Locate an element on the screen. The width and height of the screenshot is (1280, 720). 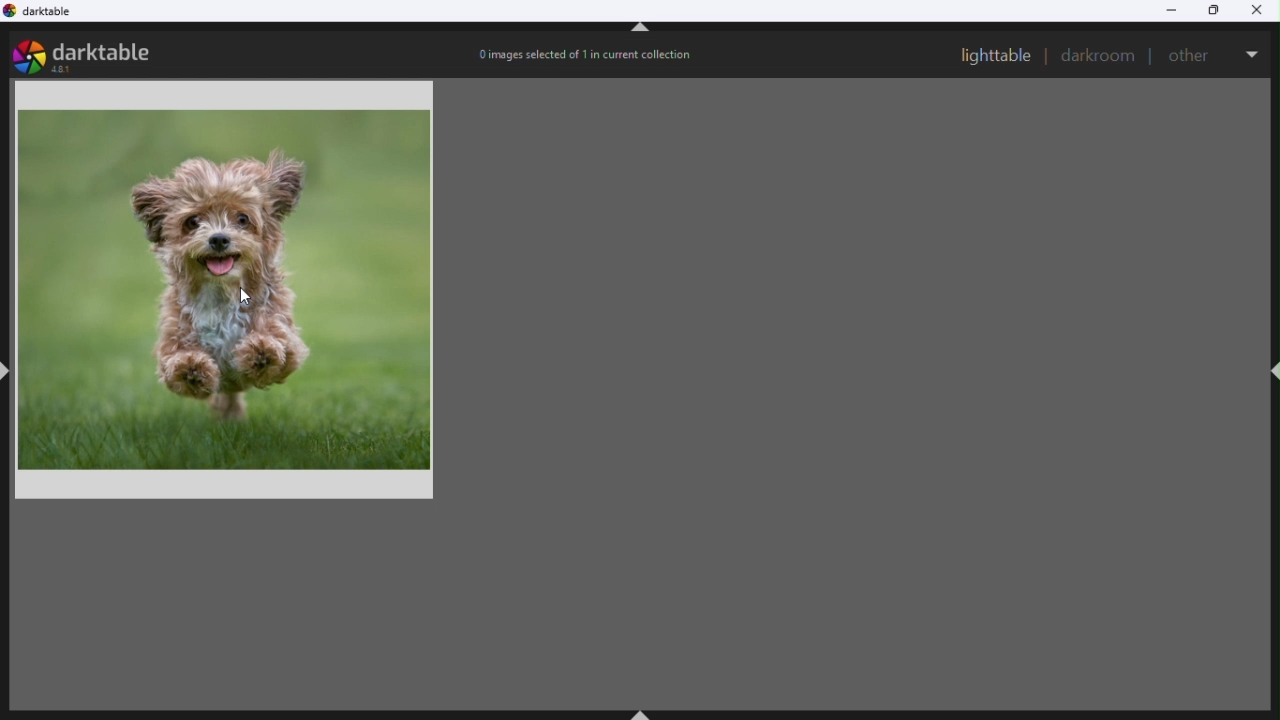
shift+ctrl+l is located at coordinates (8, 369).